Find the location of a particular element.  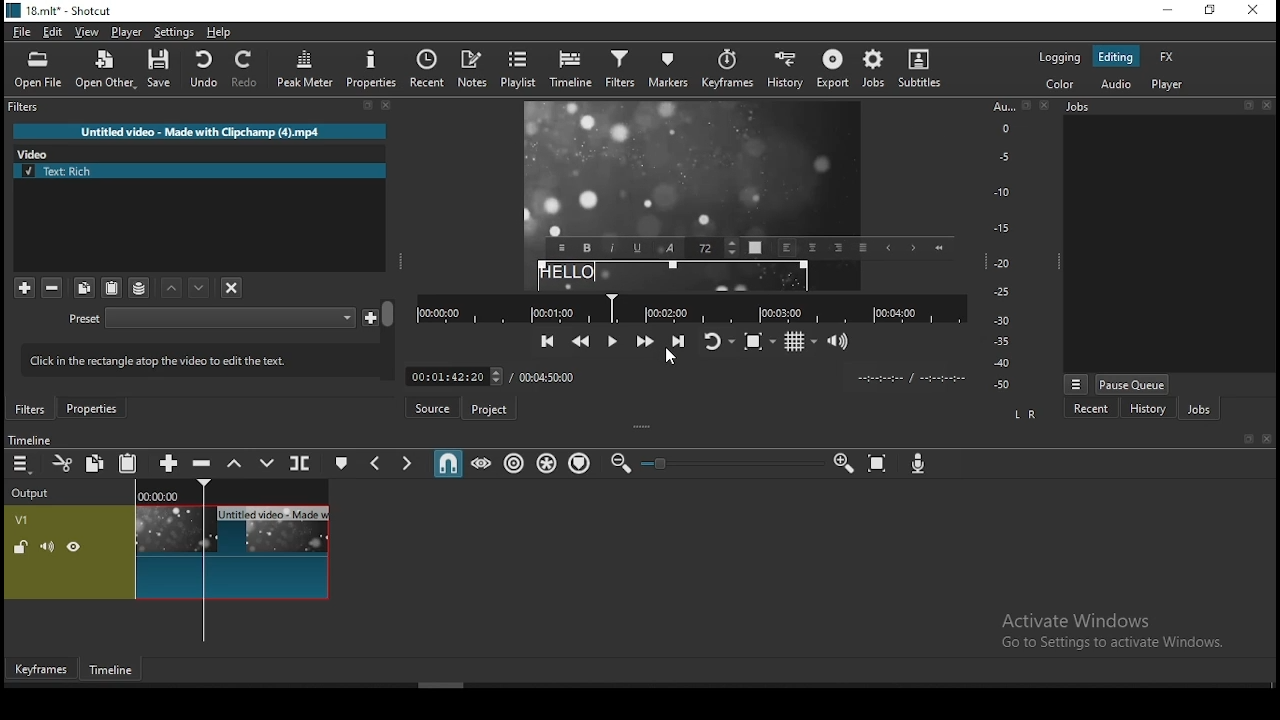

Menu is located at coordinates (561, 248).